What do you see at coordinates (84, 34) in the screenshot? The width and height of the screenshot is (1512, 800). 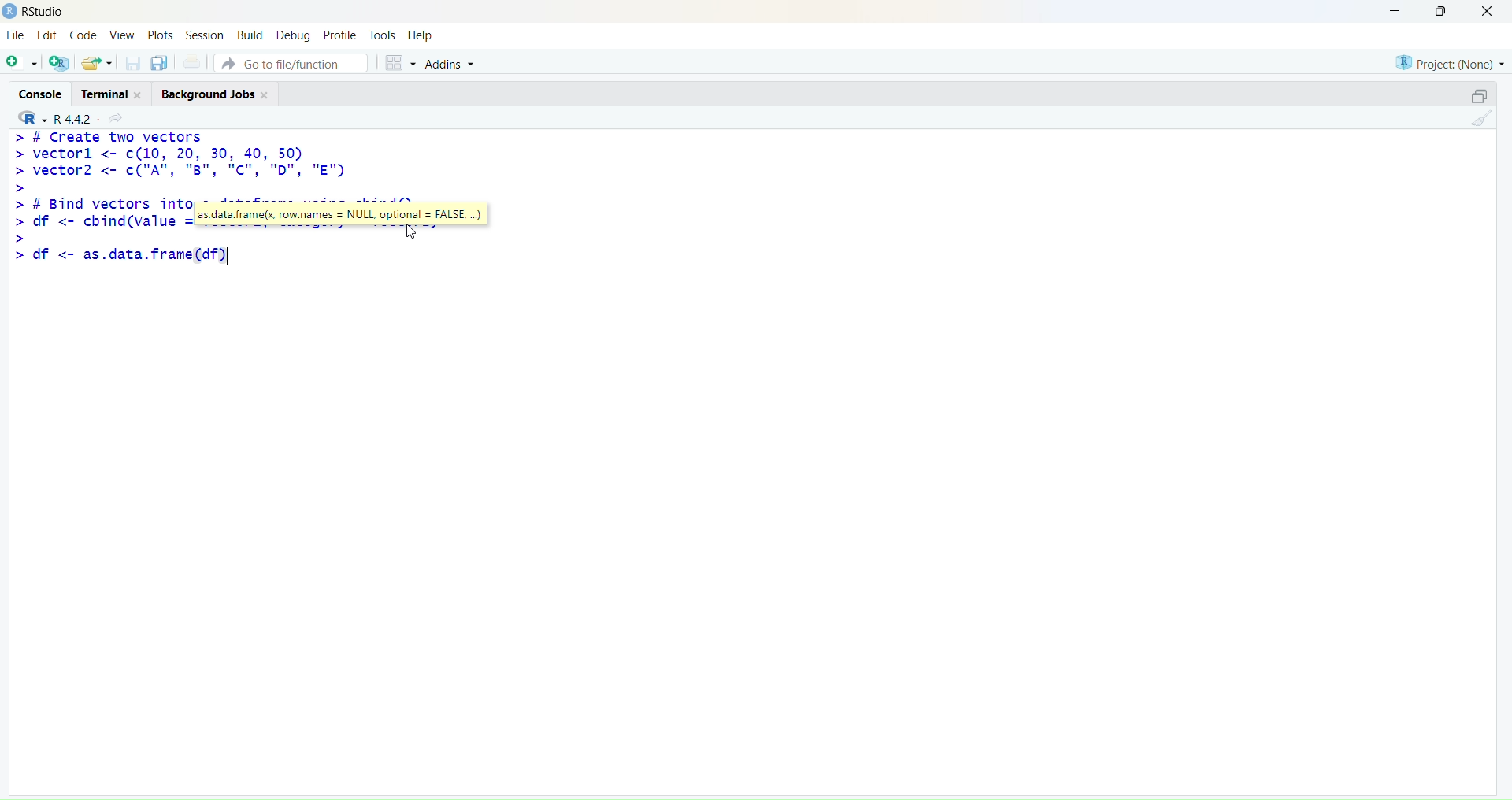 I see `Code` at bounding box center [84, 34].